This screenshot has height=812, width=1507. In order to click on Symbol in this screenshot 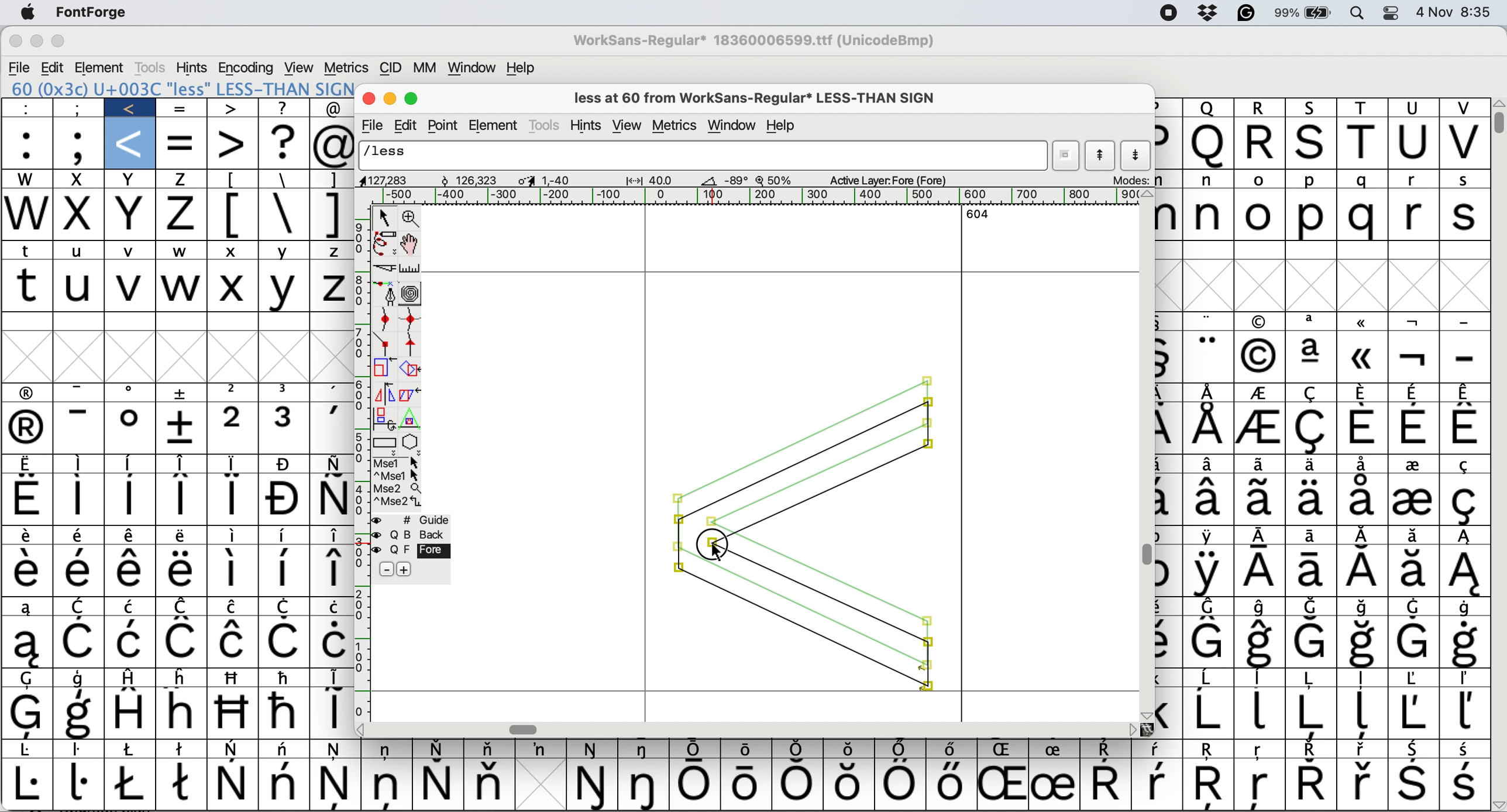, I will do `click(1414, 322)`.